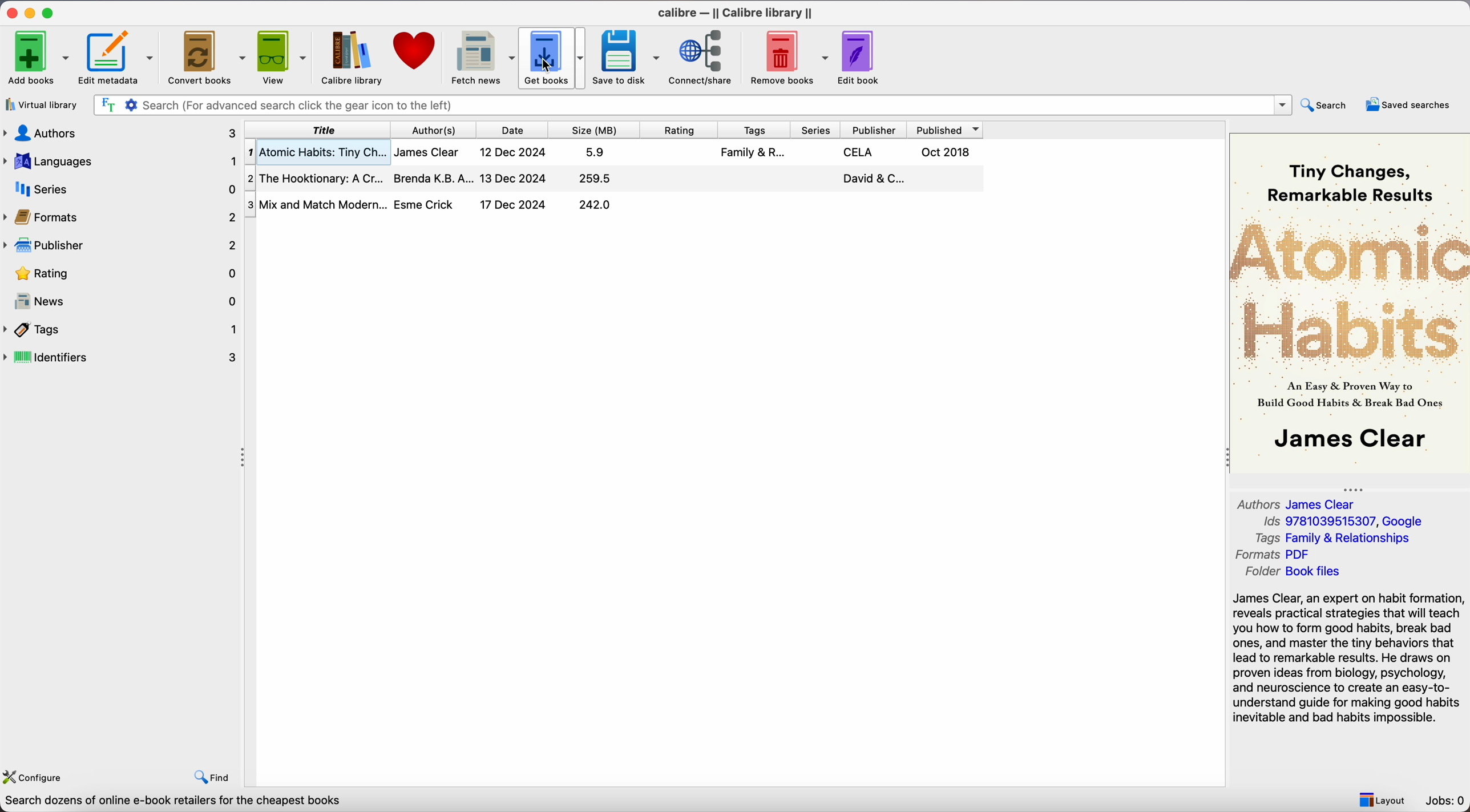 This screenshot has height=812, width=1470. Describe the element at coordinates (871, 179) in the screenshot. I see `David & C...` at that location.